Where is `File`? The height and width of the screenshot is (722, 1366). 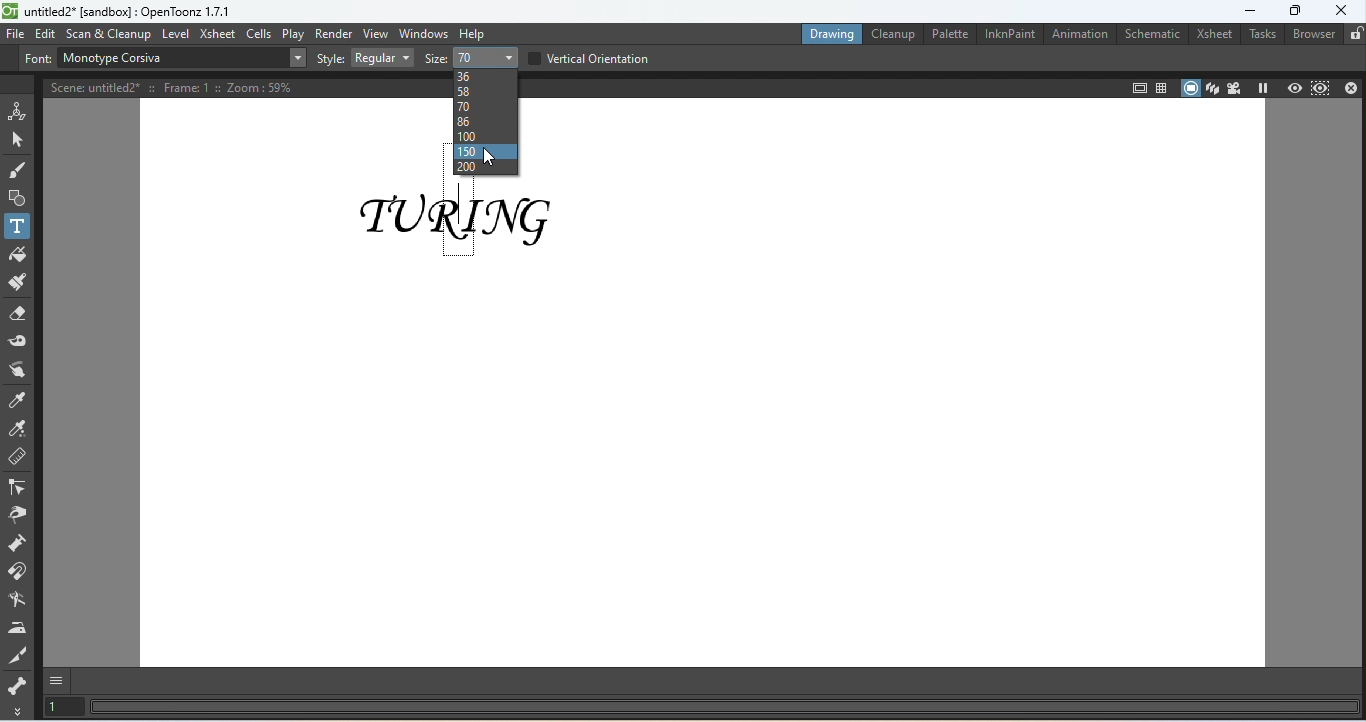 File is located at coordinates (15, 34).